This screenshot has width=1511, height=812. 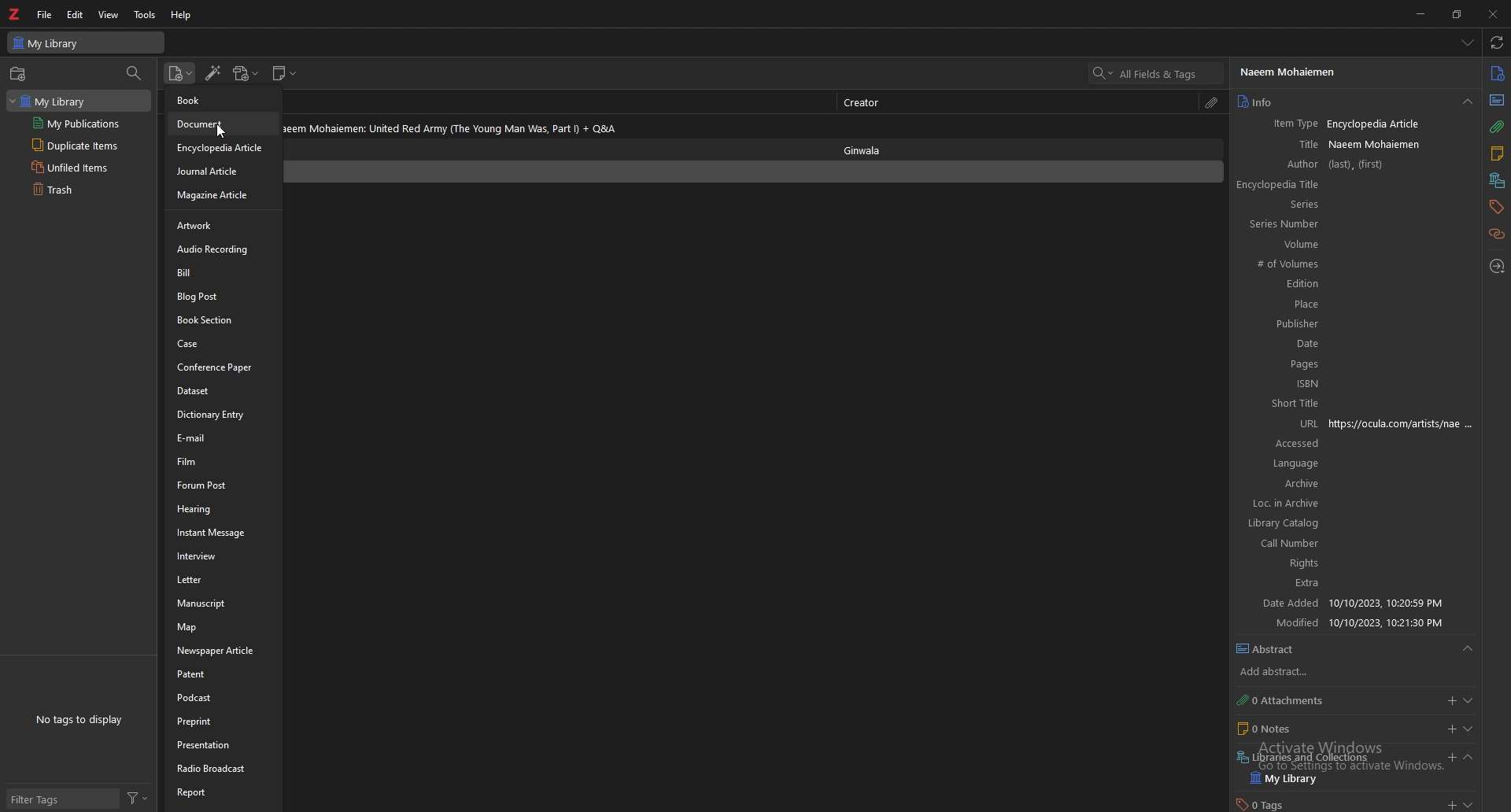 What do you see at coordinates (1336, 700) in the screenshot?
I see `attachments` at bounding box center [1336, 700].